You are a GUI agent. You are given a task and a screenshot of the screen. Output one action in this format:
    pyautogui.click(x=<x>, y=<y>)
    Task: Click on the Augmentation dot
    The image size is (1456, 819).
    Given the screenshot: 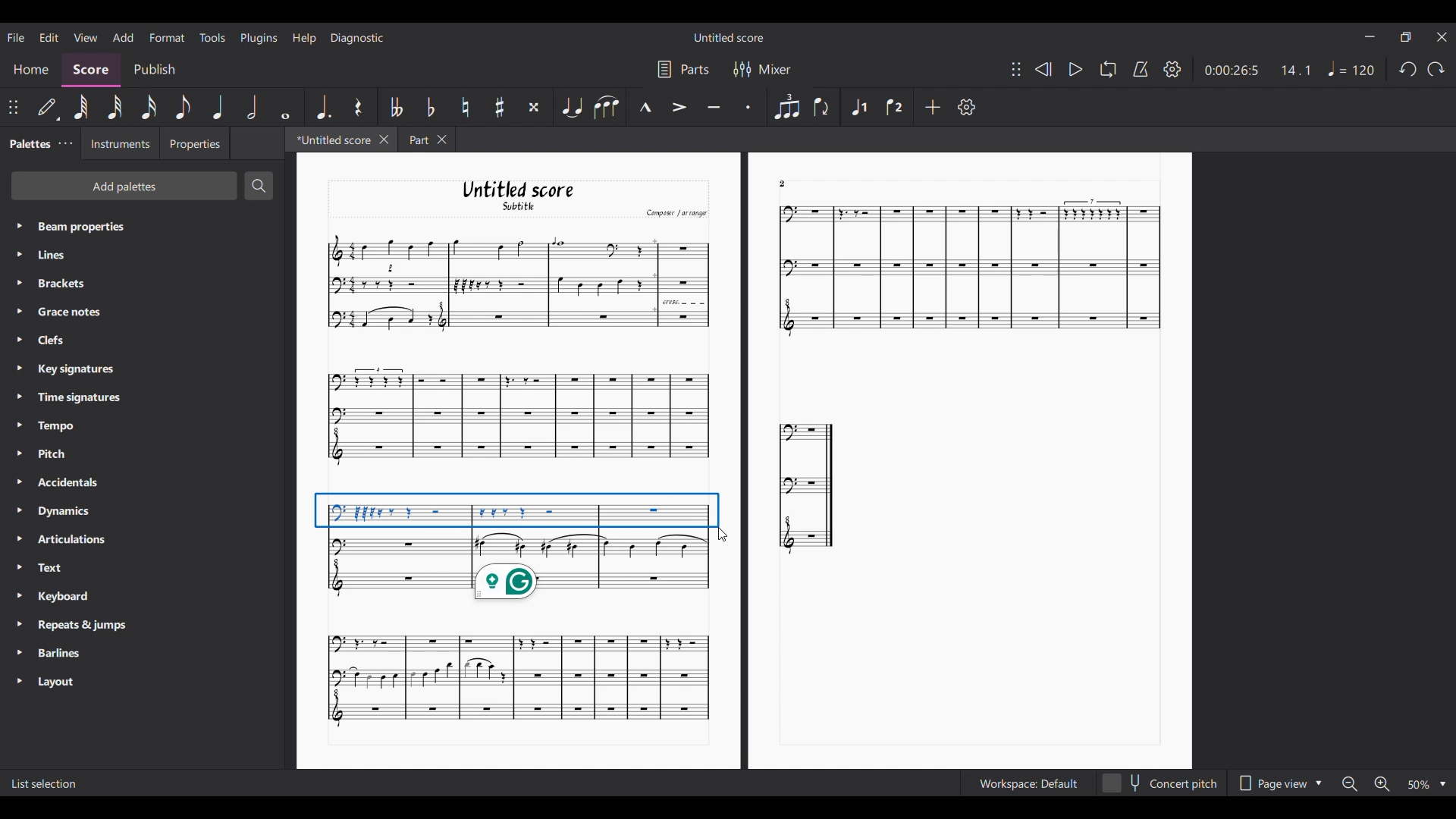 What is the action you would take?
    pyautogui.click(x=323, y=106)
    